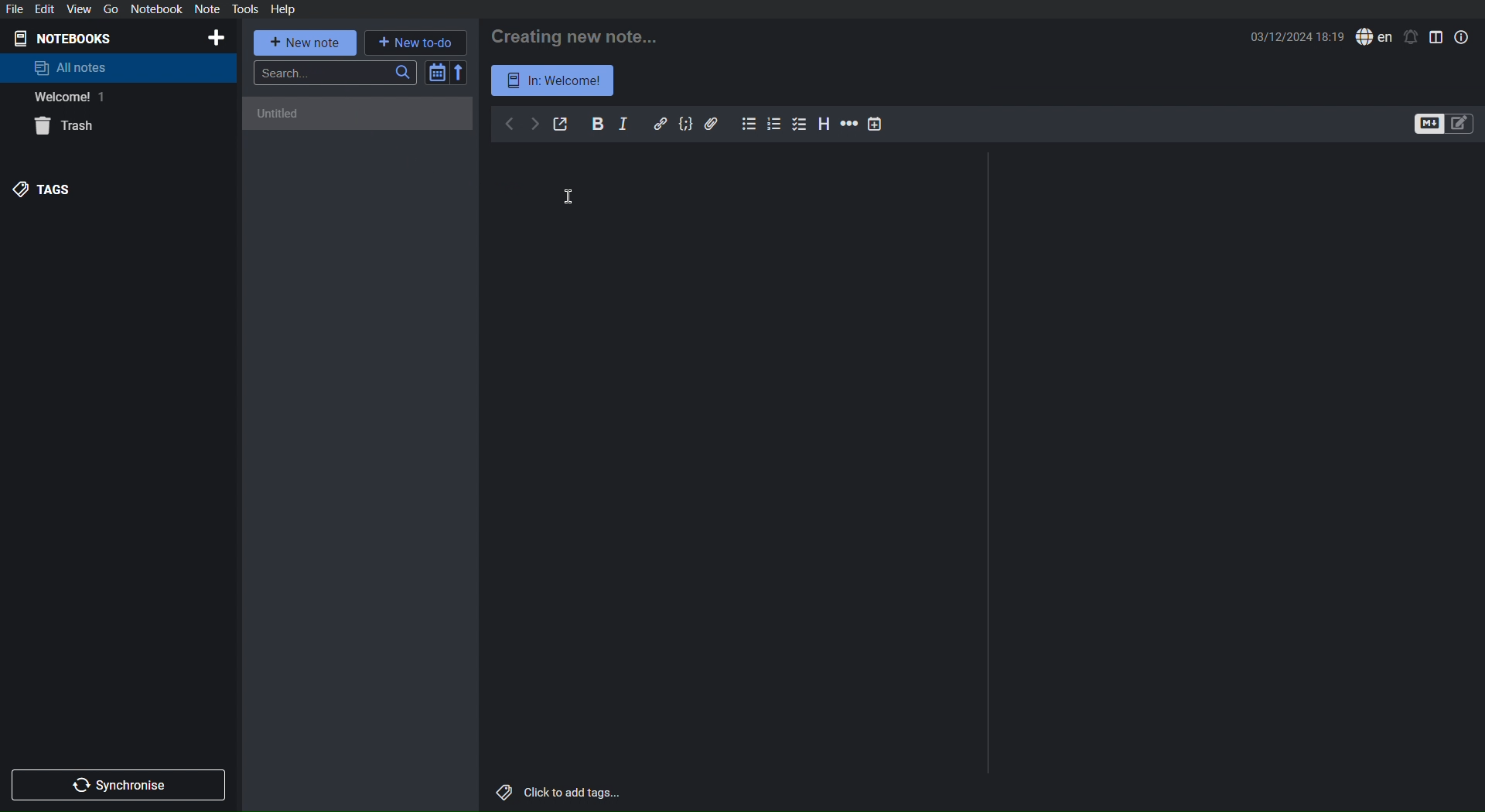  What do you see at coordinates (336, 73) in the screenshot?
I see `Search` at bounding box center [336, 73].